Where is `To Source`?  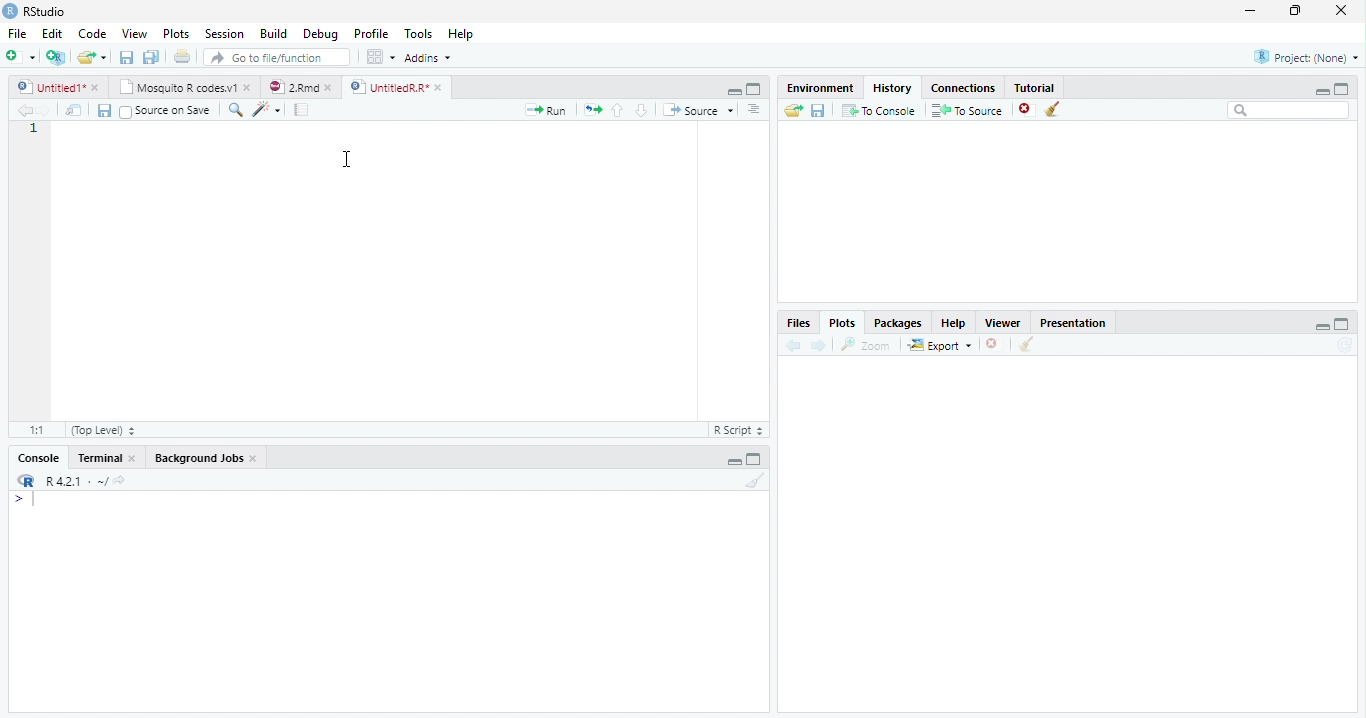
To Source is located at coordinates (967, 109).